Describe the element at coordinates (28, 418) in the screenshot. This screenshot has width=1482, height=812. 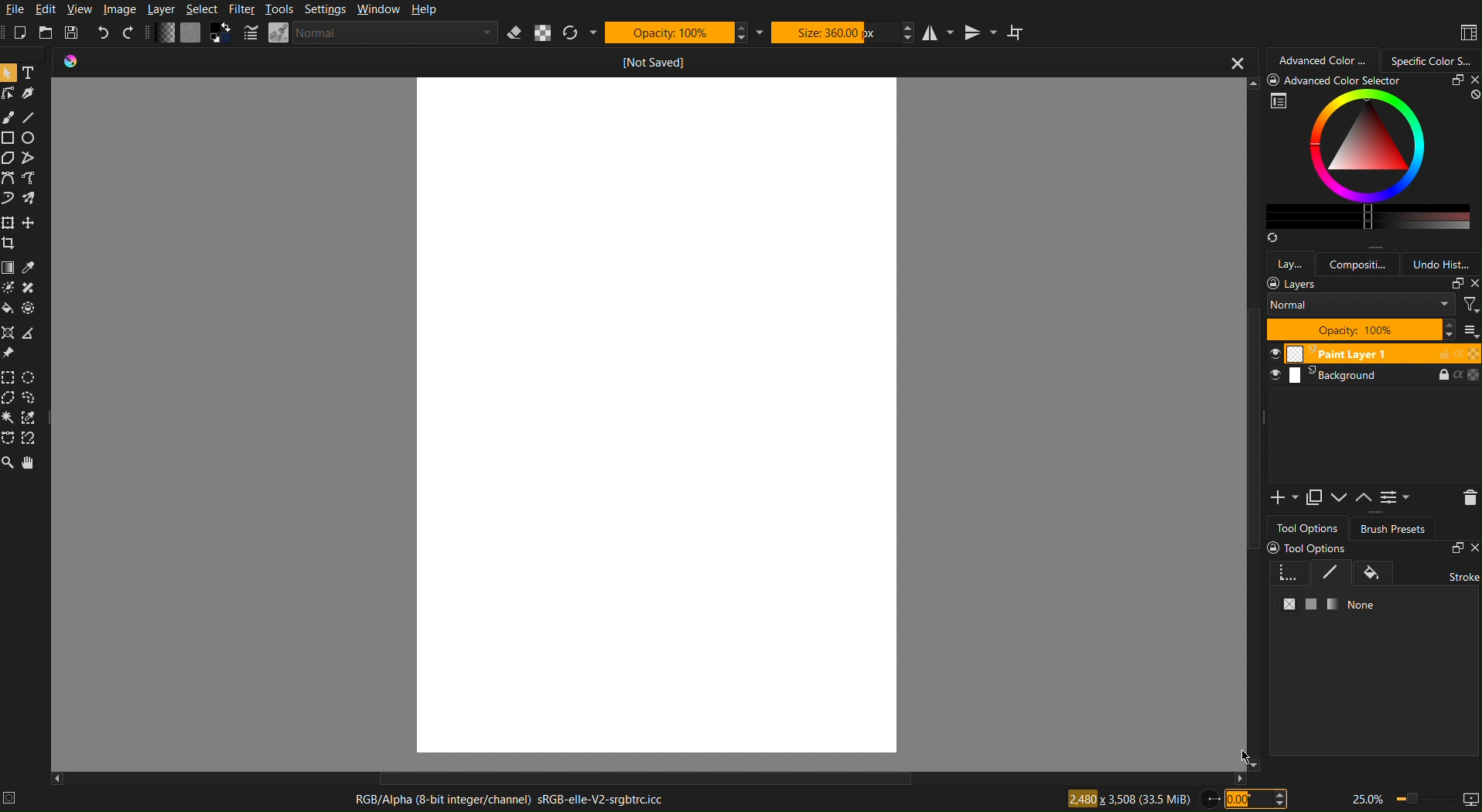
I see `Similar Color Selection Tool` at that location.